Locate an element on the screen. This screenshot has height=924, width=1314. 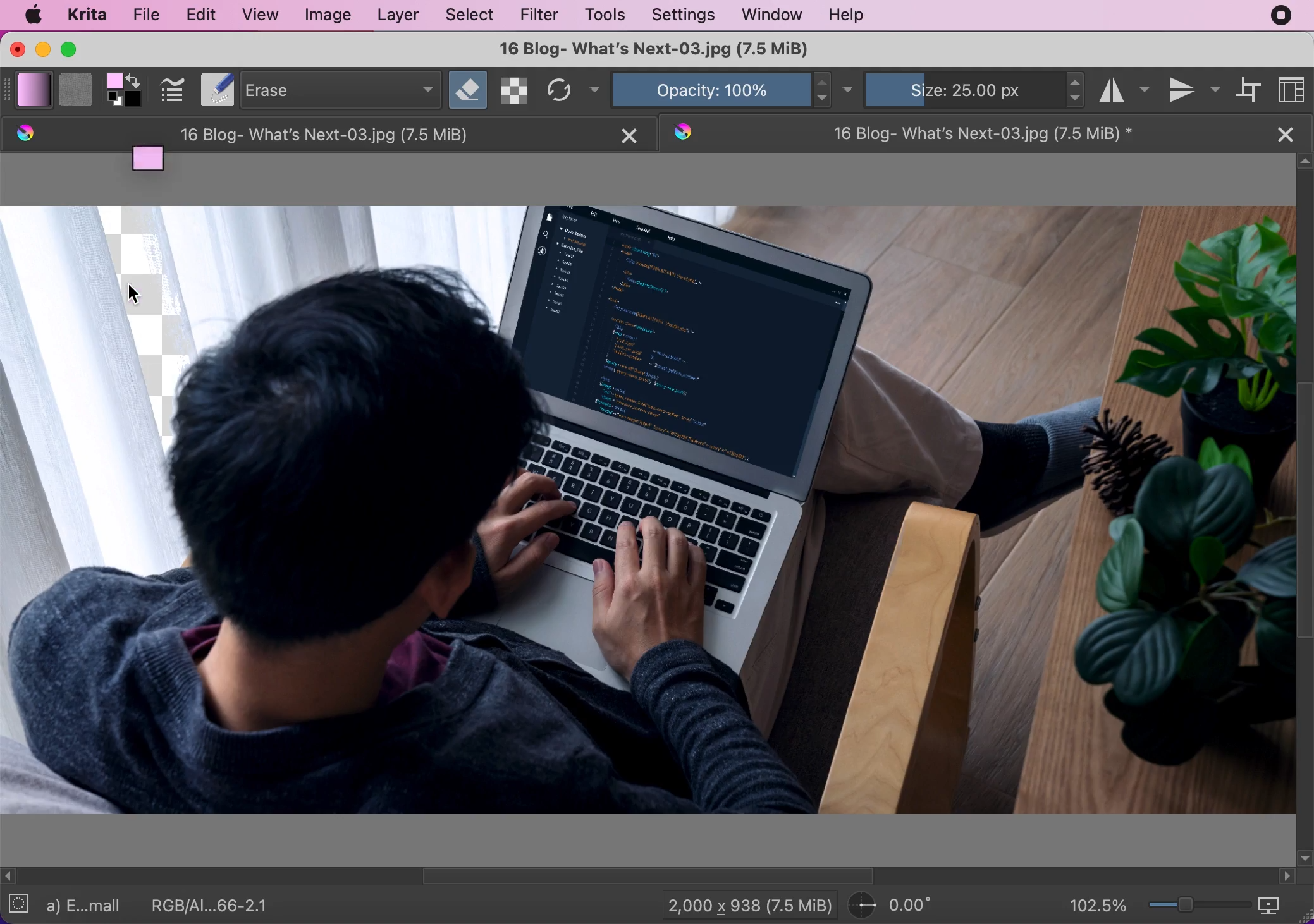
Notepad is located at coordinates (214, 90).